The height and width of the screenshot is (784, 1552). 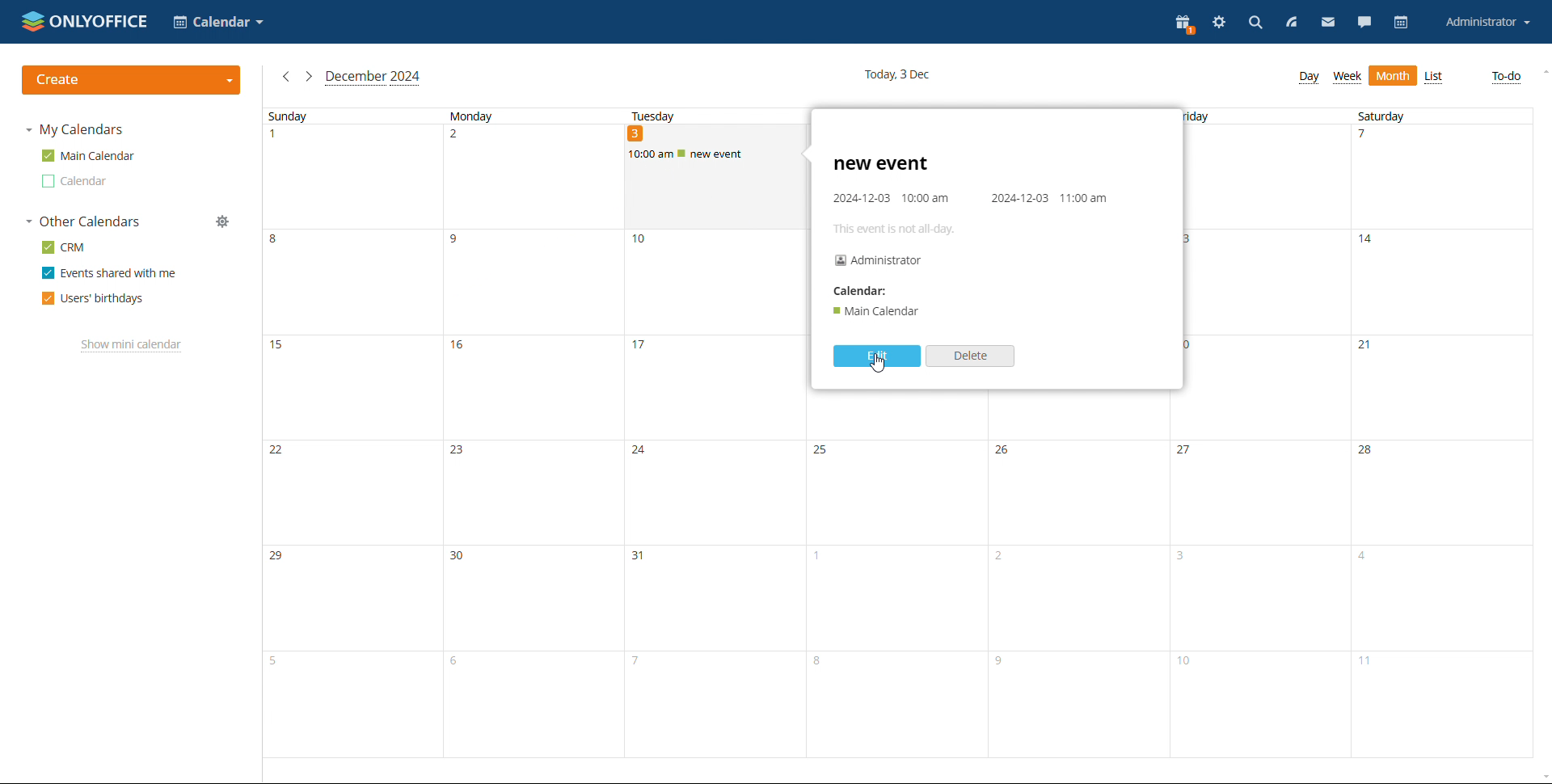 What do you see at coordinates (1364, 22) in the screenshot?
I see `chat` at bounding box center [1364, 22].